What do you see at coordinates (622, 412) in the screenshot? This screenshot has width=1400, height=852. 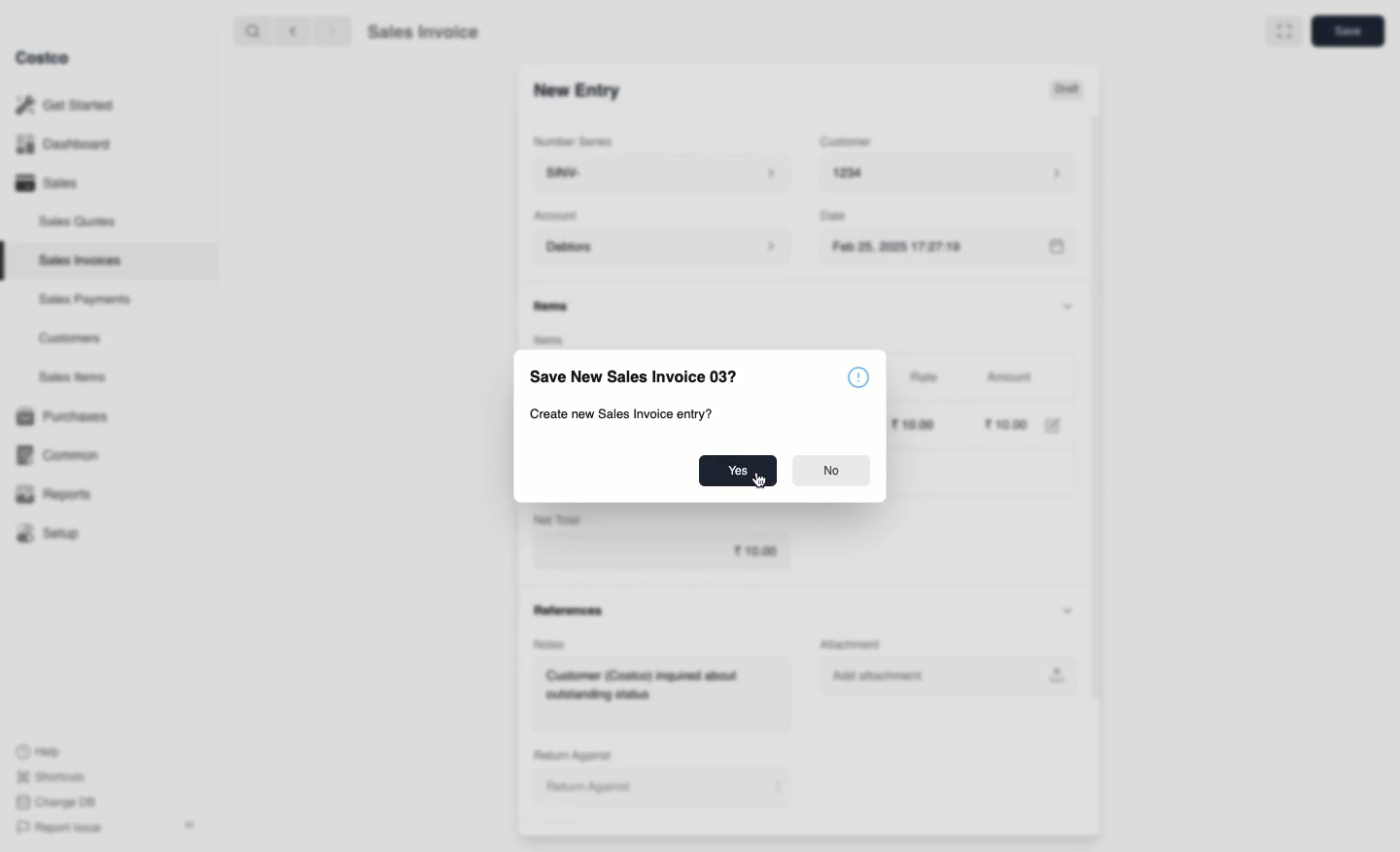 I see `Create new Sales Invoice entry?` at bounding box center [622, 412].